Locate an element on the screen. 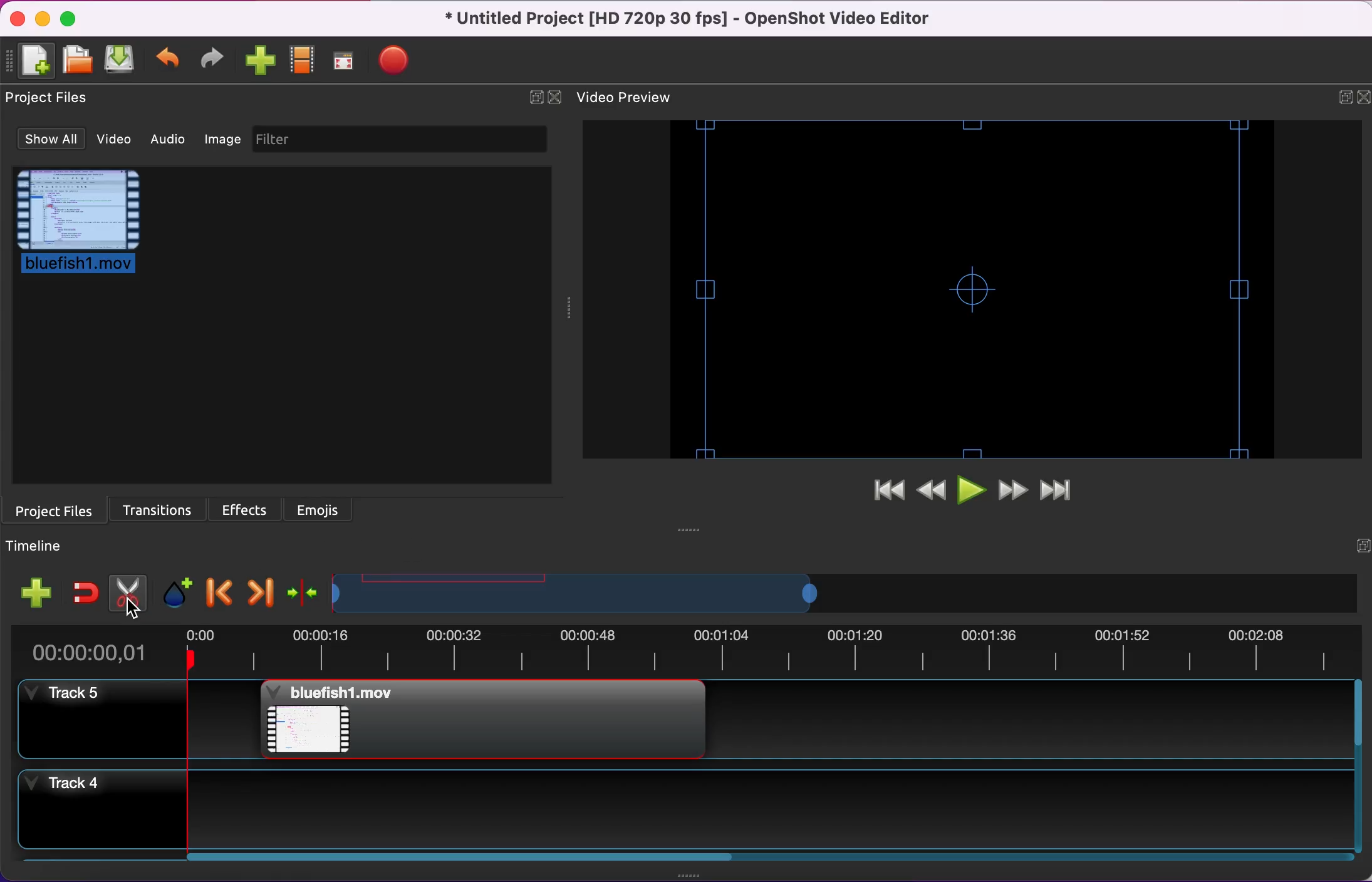 The width and height of the screenshot is (1372, 882). filter is located at coordinates (404, 142).